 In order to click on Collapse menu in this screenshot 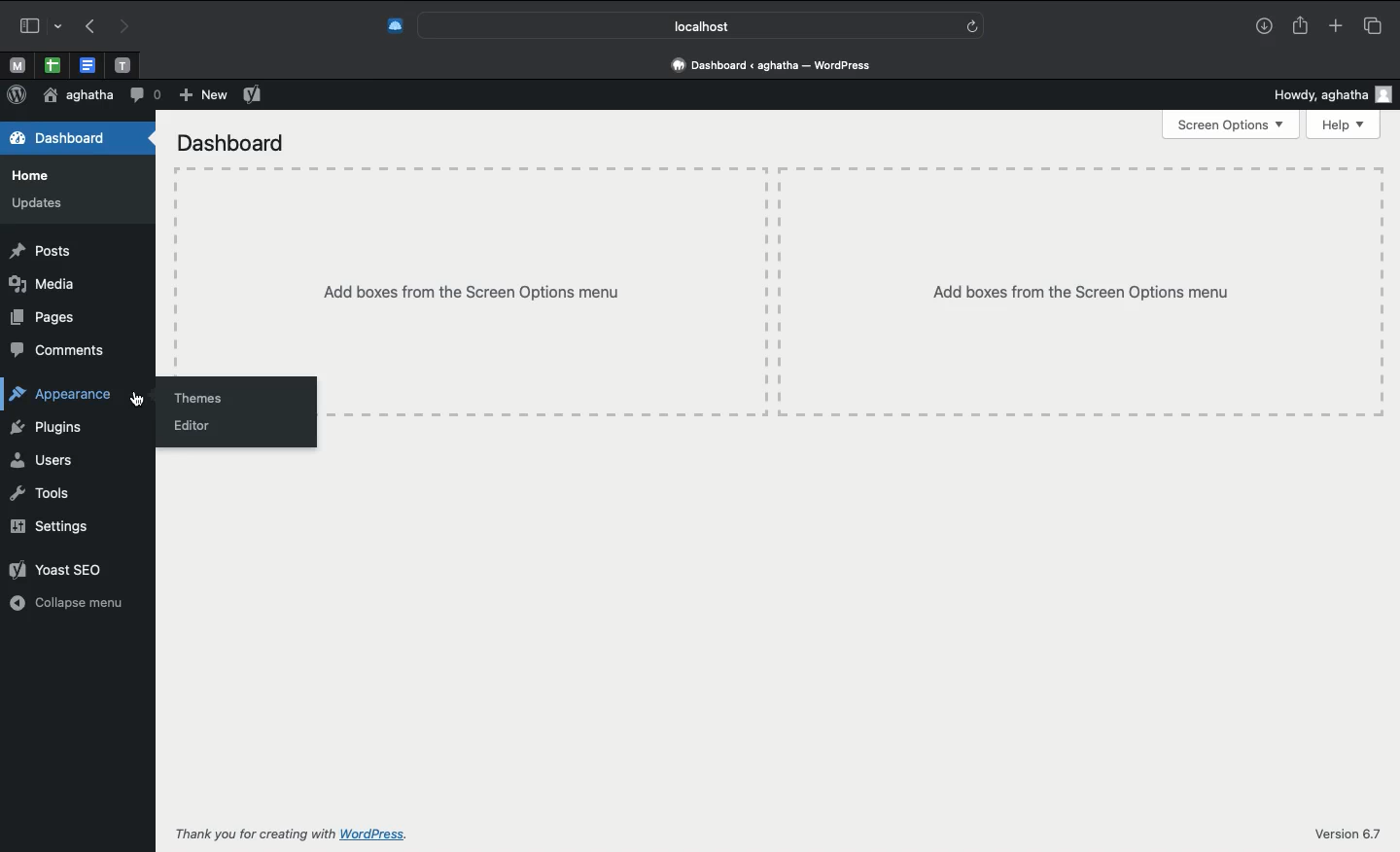, I will do `click(66, 602)`.